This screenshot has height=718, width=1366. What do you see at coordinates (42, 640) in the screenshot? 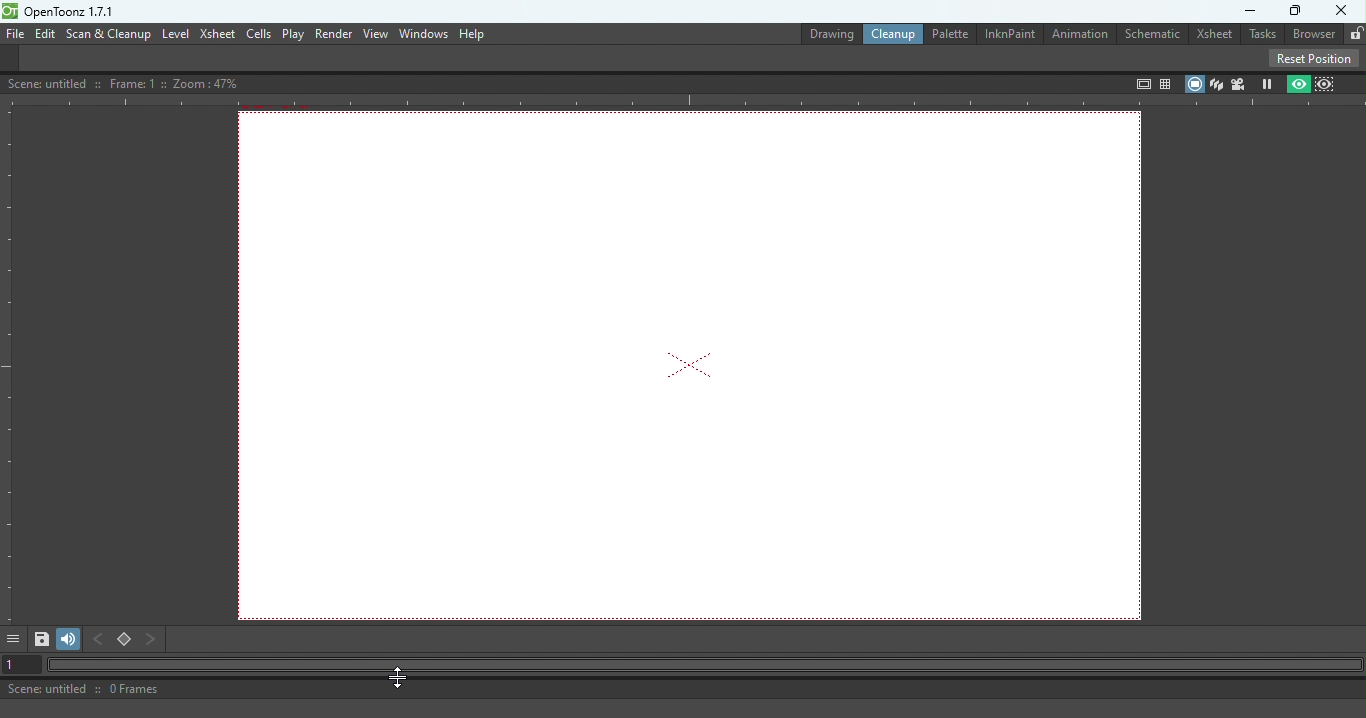
I see `Save Image` at bounding box center [42, 640].